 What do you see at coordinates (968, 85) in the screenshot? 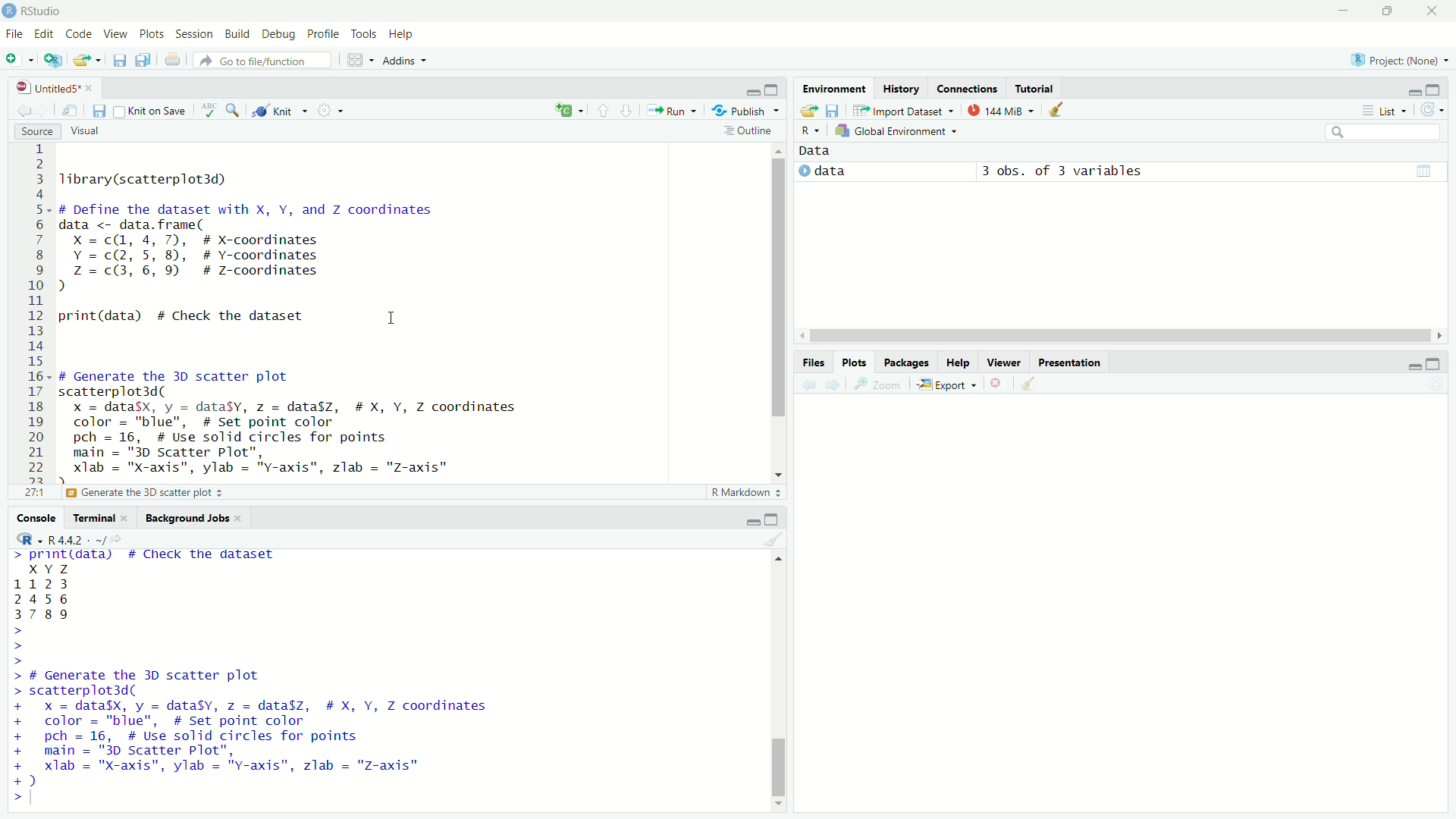
I see `Connections` at bounding box center [968, 85].